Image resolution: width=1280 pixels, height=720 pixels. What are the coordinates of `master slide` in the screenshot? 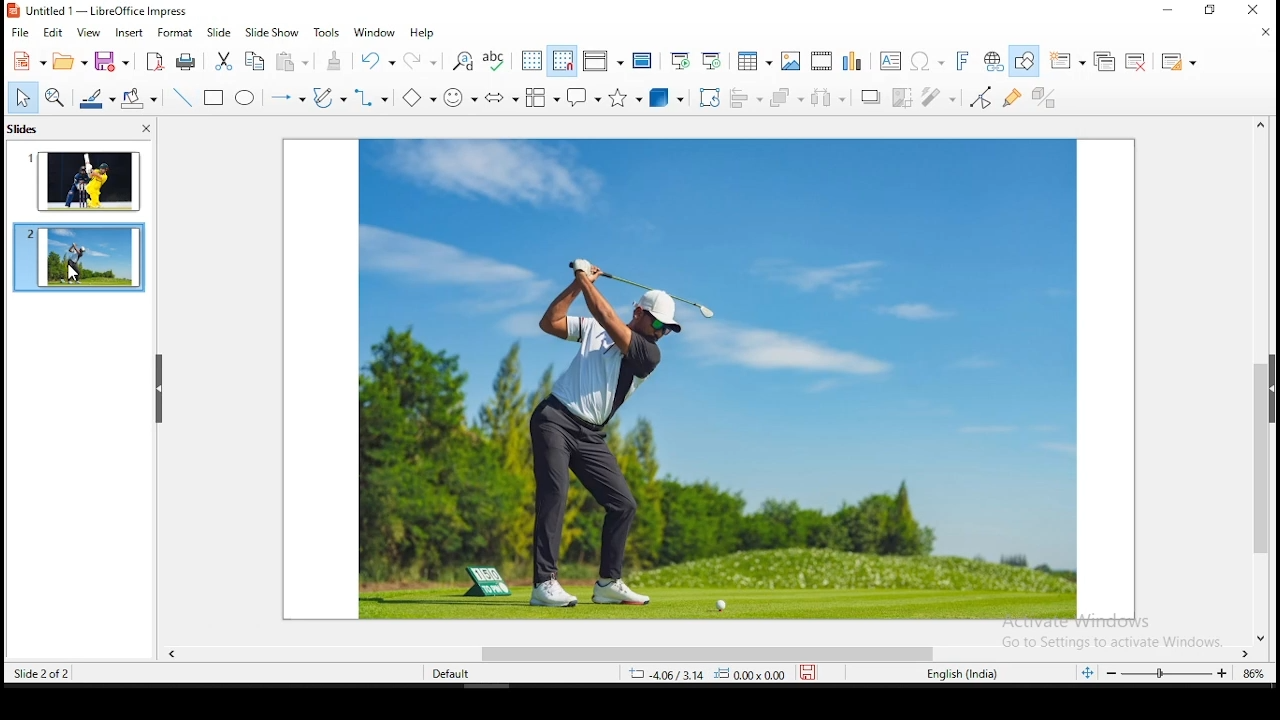 It's located at (643, 59).